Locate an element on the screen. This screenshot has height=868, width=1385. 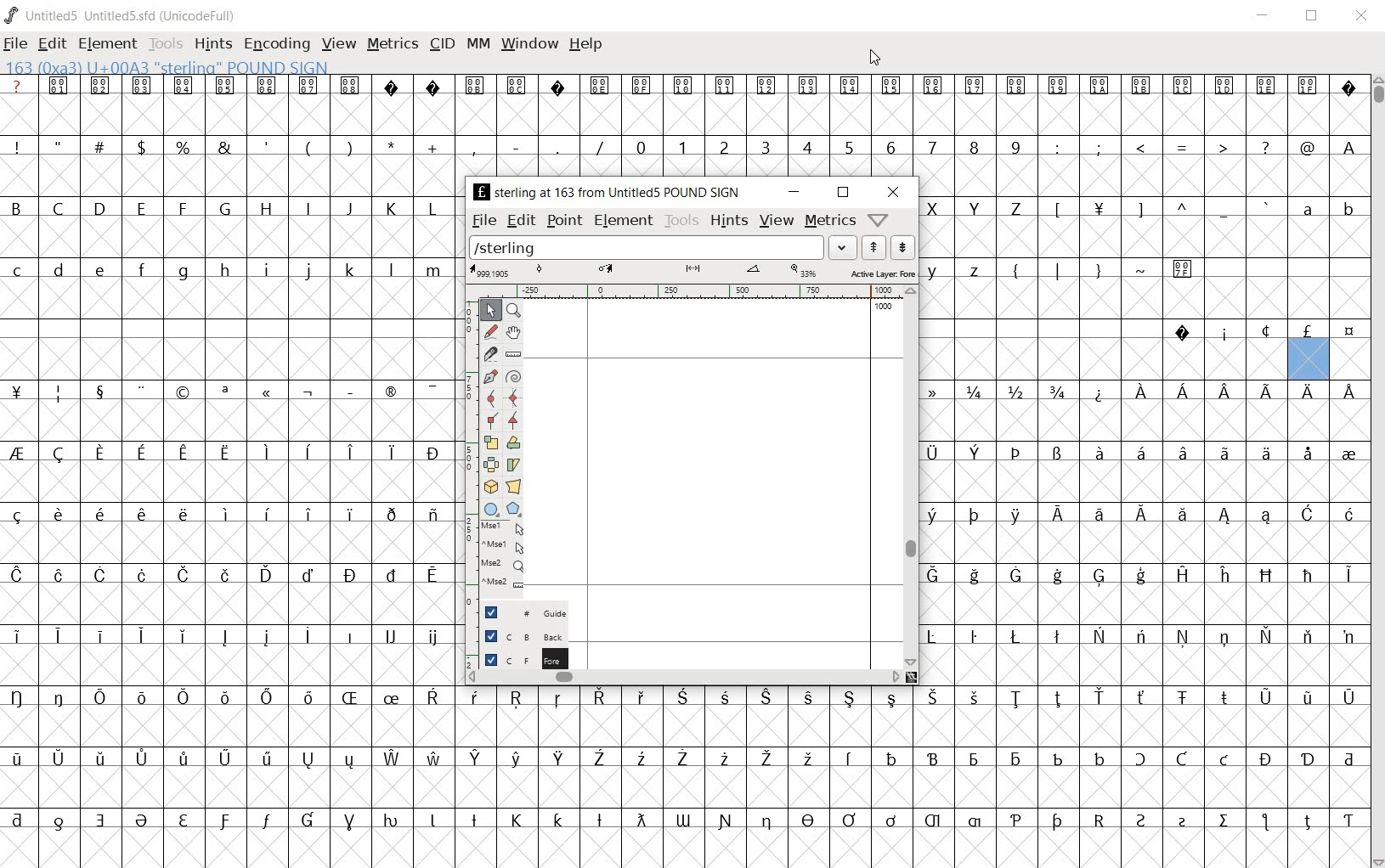
Symbol is located at coordinates (265, 637).